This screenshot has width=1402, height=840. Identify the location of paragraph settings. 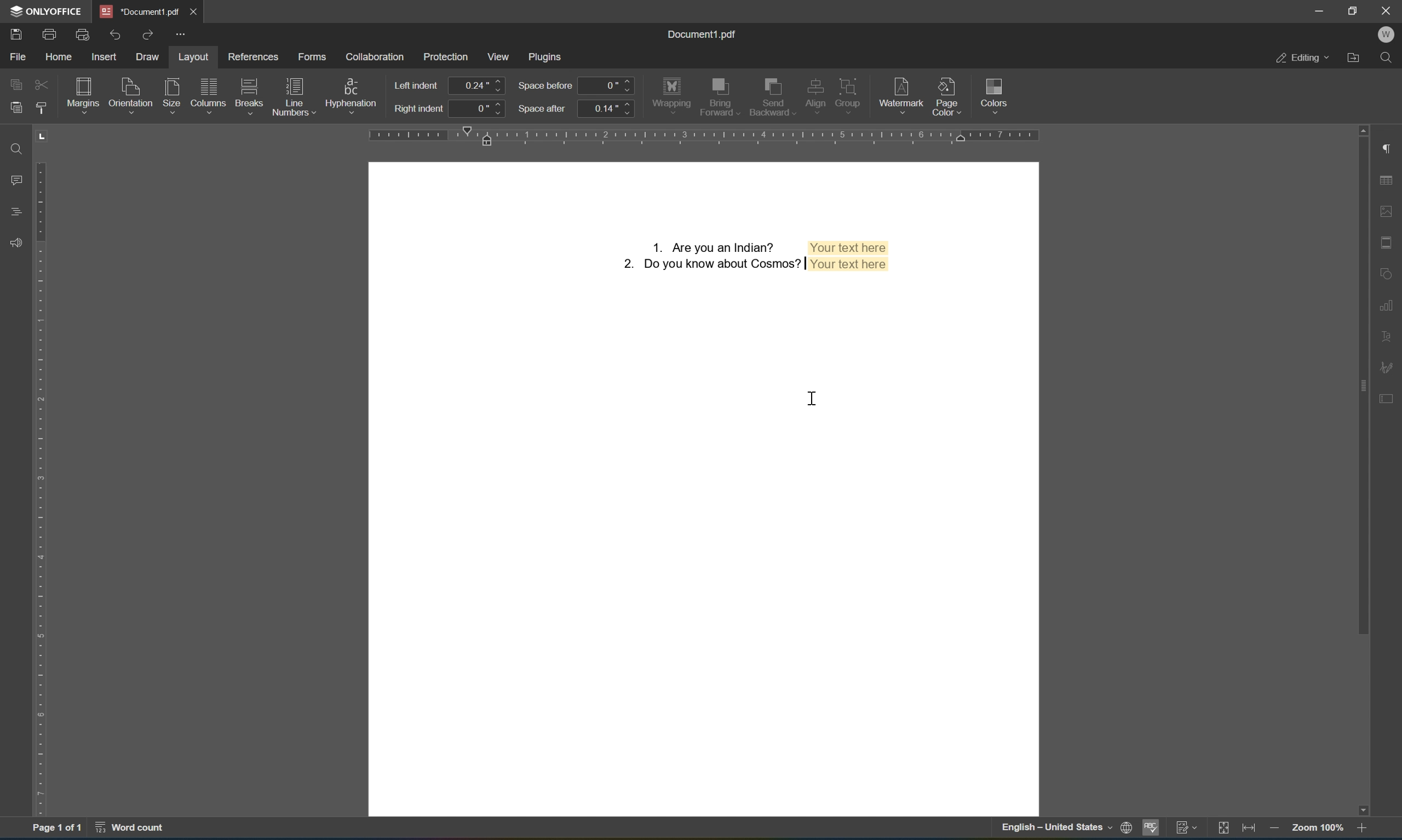
(1390, 147).